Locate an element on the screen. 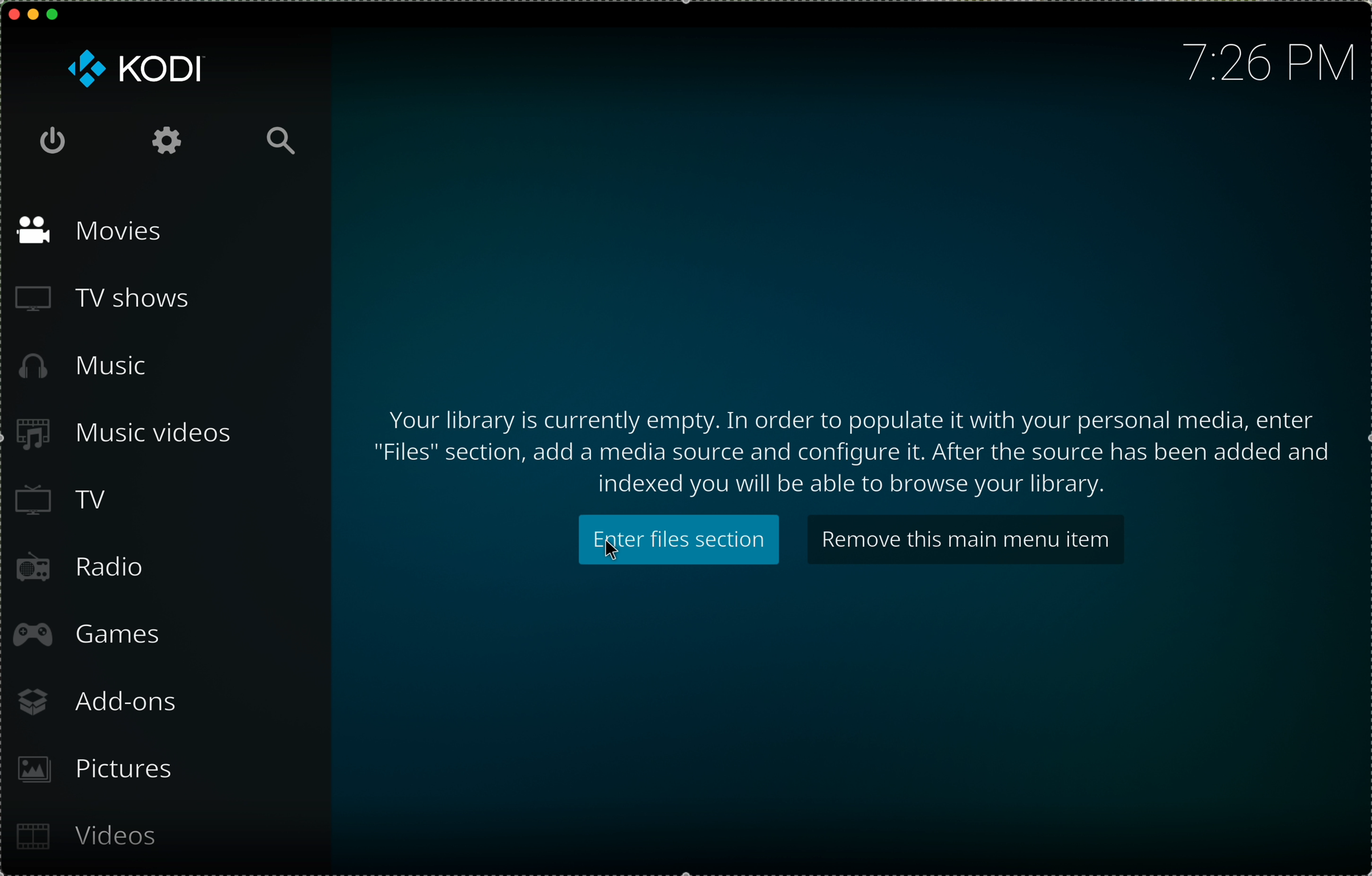 The height and width of the screenshot is (876, 1372). TV shows option is located at coordinates (99, 302).